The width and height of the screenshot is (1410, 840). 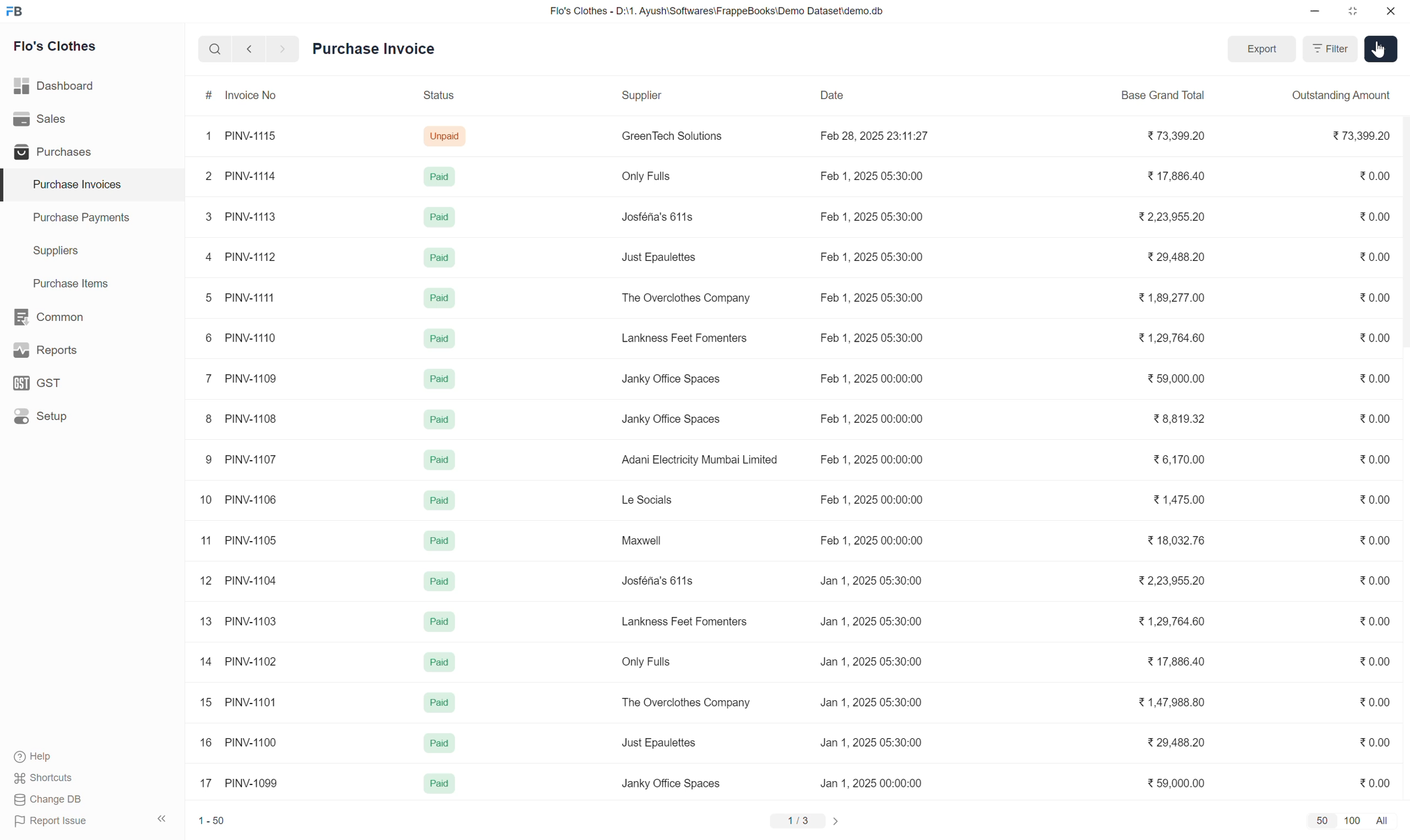 What do you see at coordinates (875, 258) in the screenshot?
I see `Feb 1, 2025 05:30:00` at bounding box center [875, 258].